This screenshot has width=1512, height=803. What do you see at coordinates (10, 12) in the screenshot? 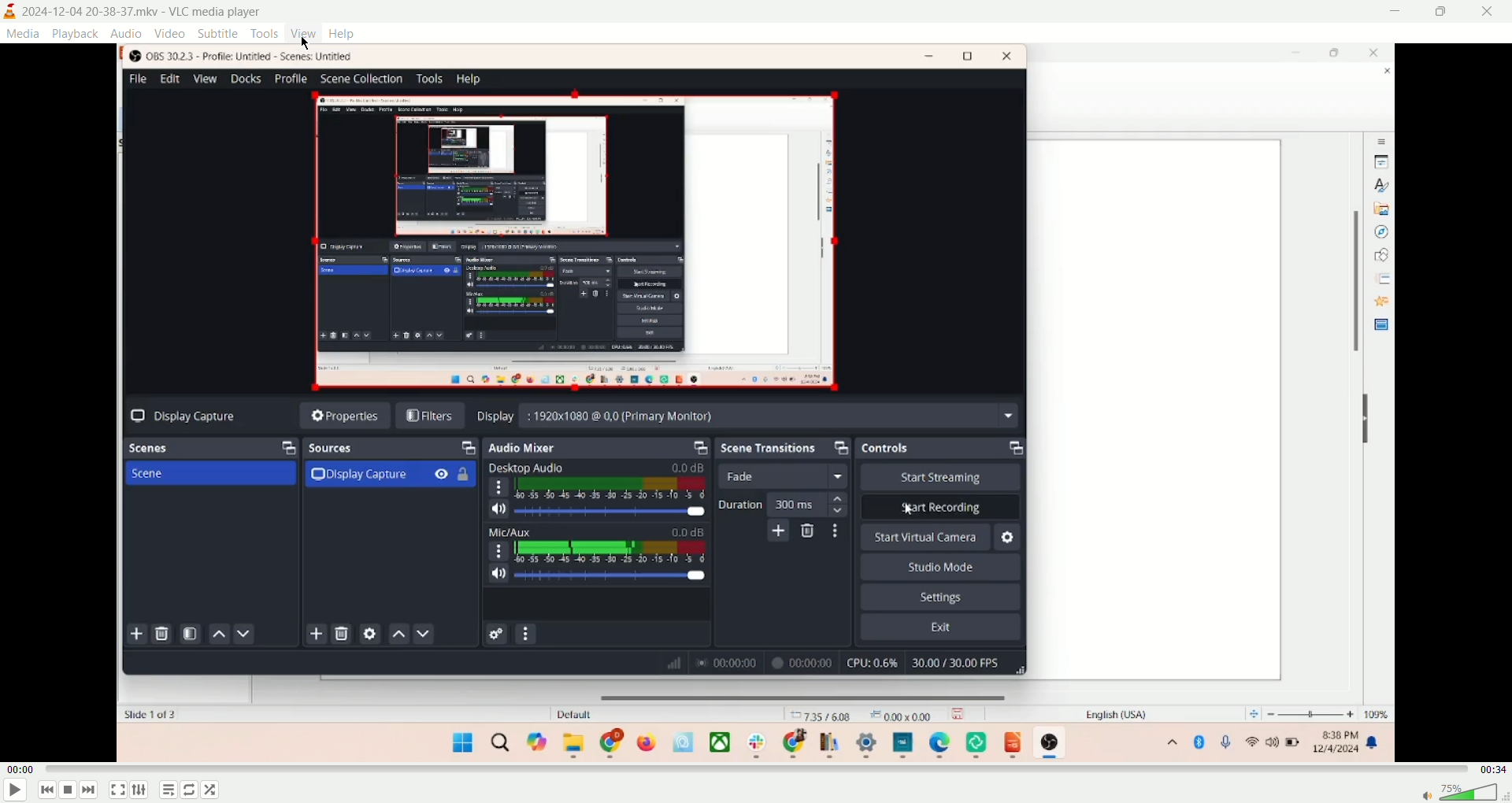
I see `logo` at bounding box center [10, 12].